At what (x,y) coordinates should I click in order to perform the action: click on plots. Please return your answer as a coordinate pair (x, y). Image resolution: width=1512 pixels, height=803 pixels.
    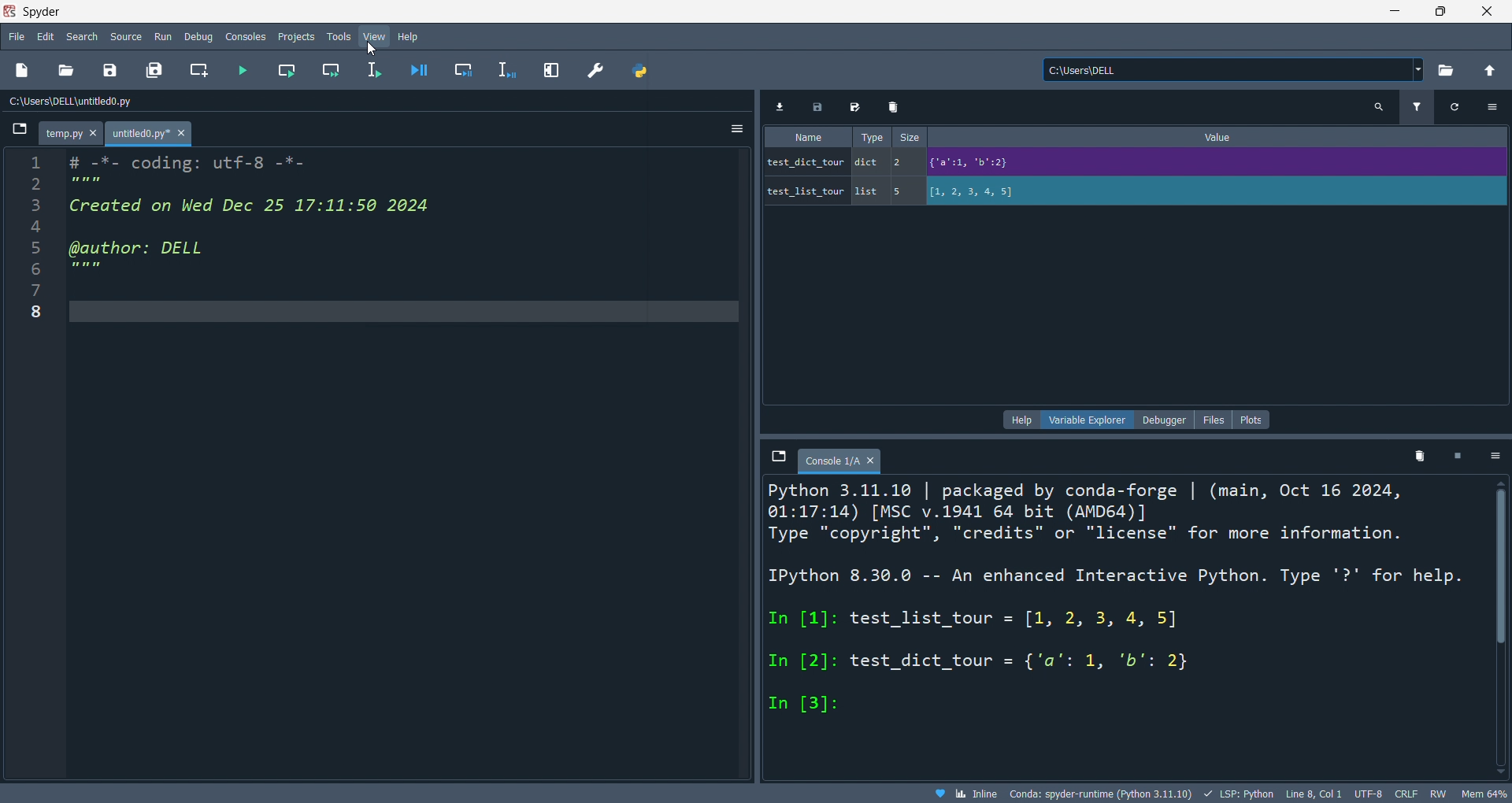
    Looking at the image, I should click on (1252, 420).